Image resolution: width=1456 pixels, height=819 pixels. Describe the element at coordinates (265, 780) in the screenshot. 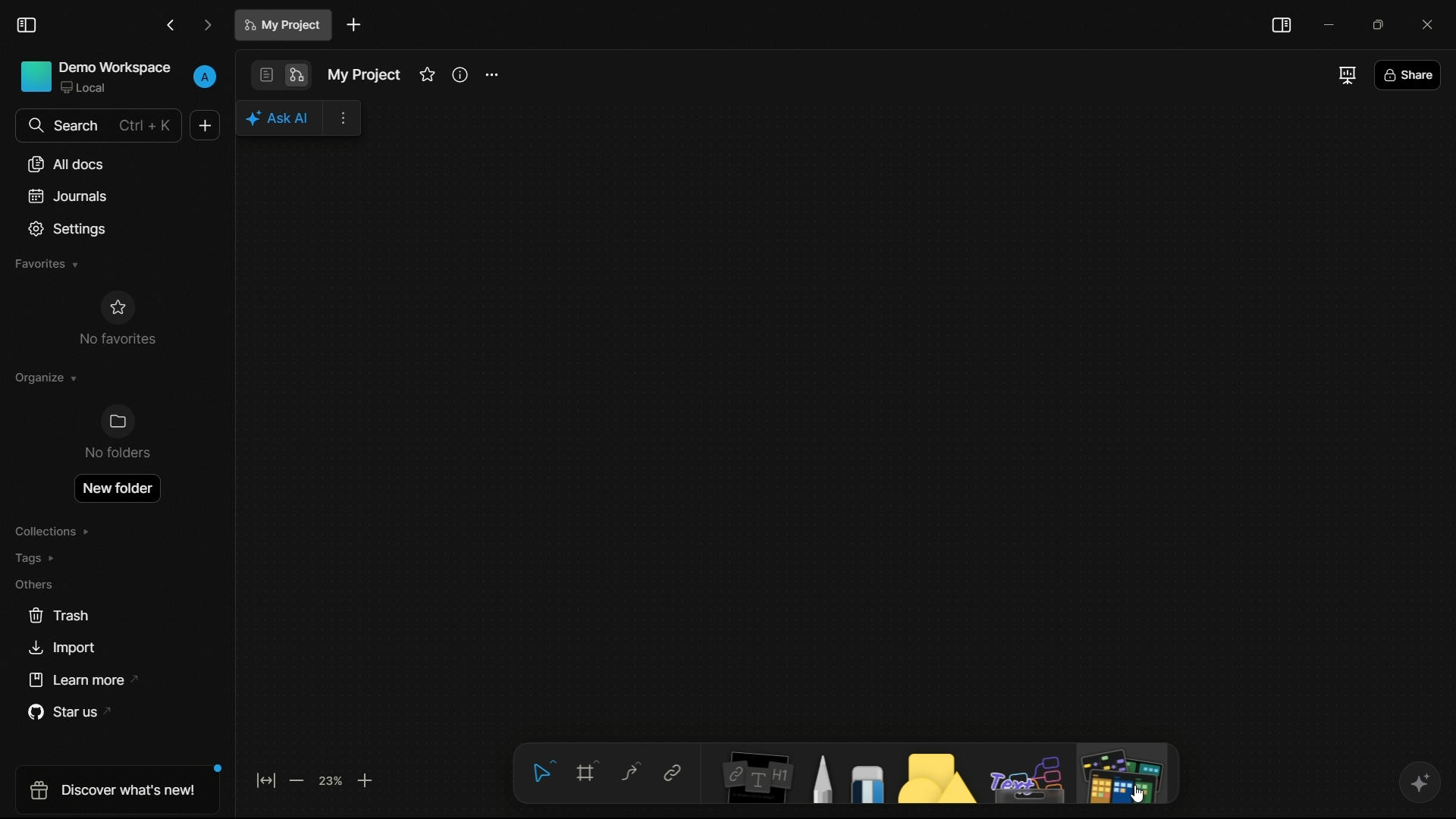

I see `fit to screen` at that location.